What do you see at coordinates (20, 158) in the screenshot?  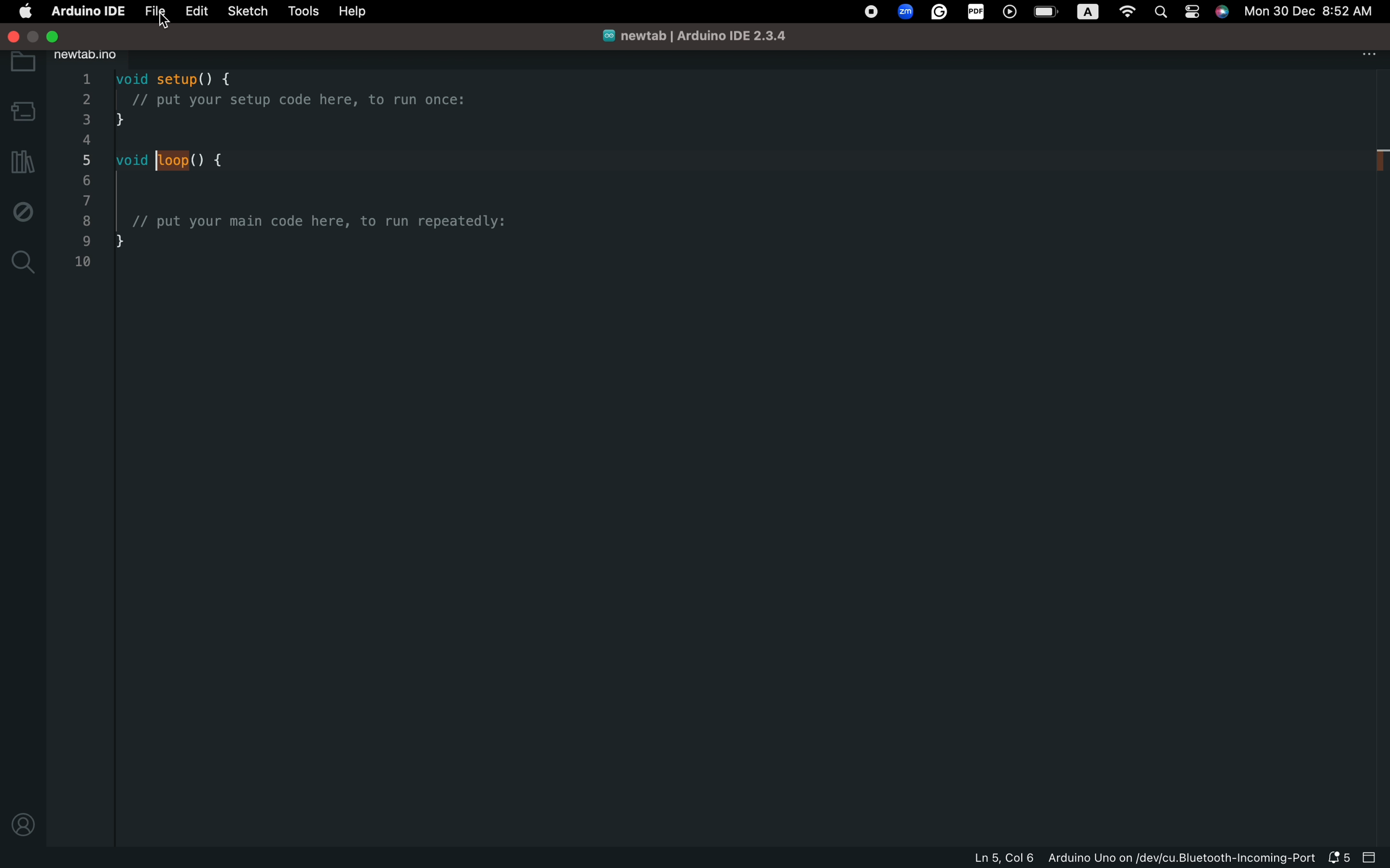 I see `library manager` at bounding box center [20, 158].